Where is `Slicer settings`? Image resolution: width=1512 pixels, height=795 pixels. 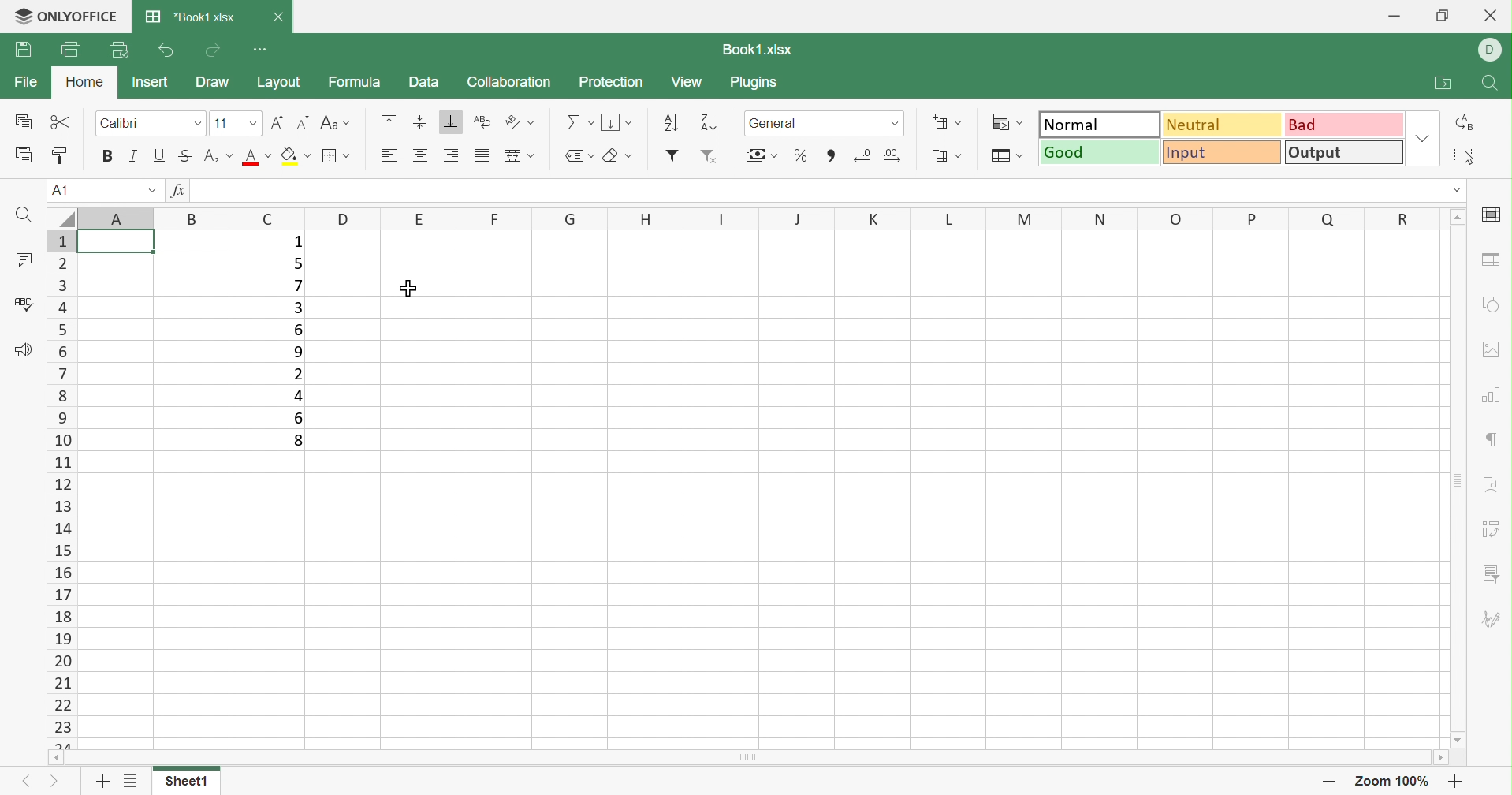
Slicer settings is located at coordinates (1489, 575).